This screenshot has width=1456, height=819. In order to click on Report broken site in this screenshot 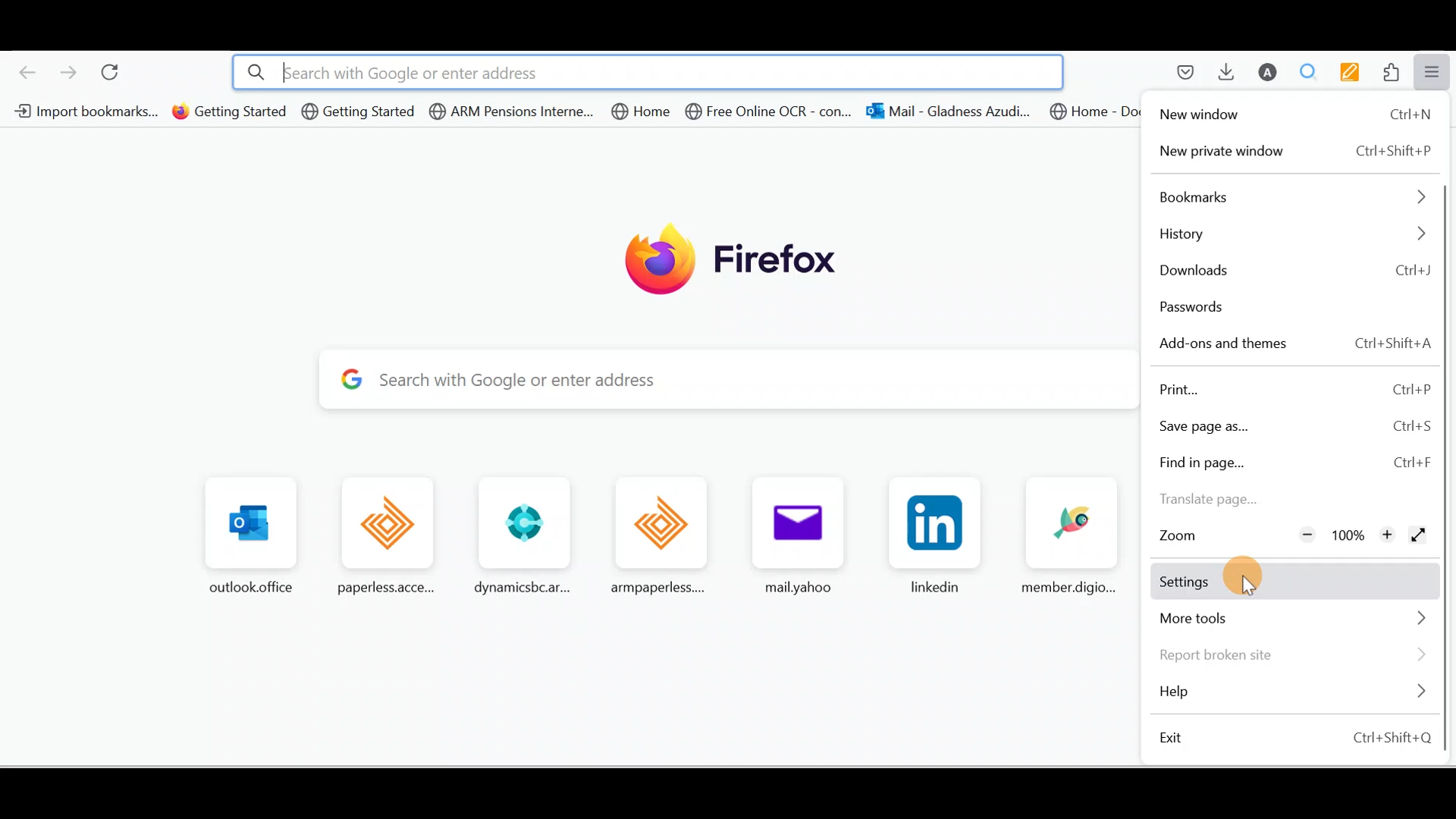, I will do `click(1293, 657)`.